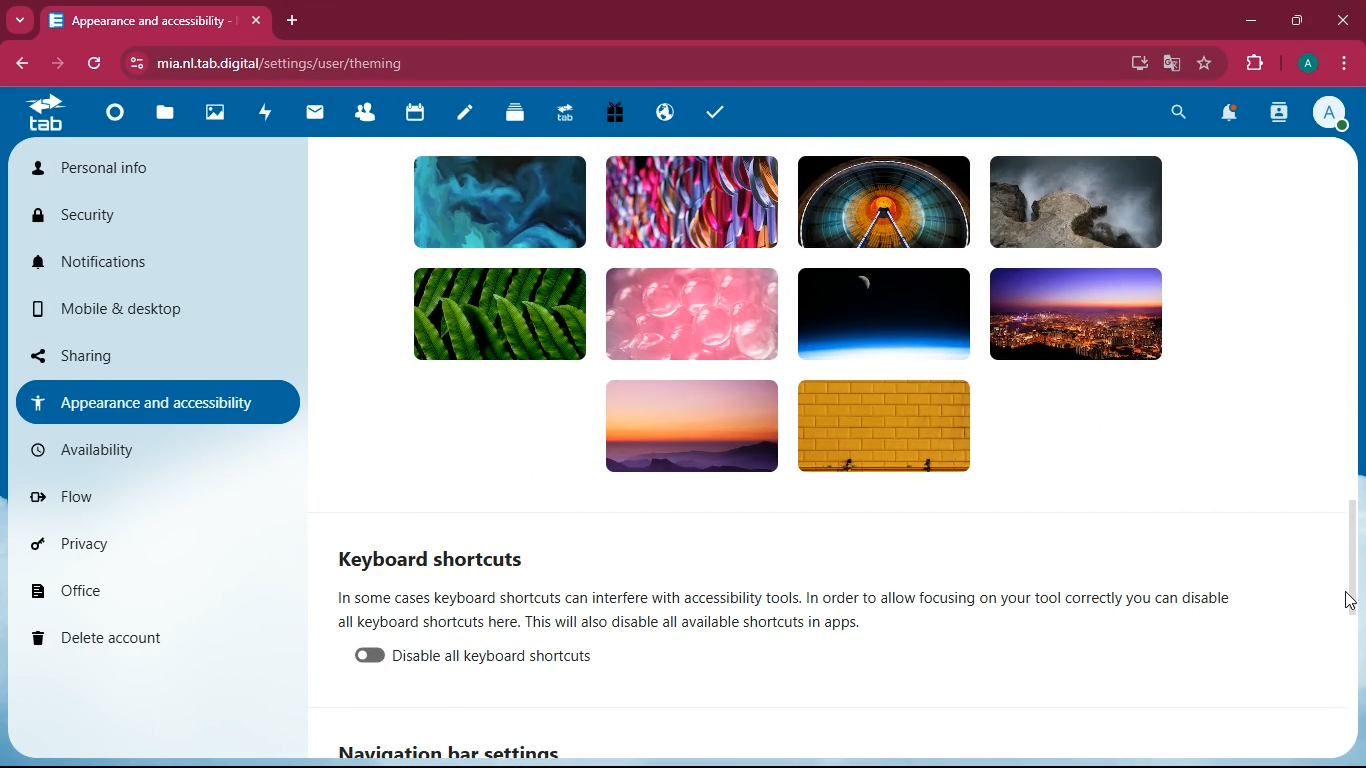 The height and width of the screenshot is (768, 1366). Describe the element at coordinates (1303, 63) in the screenshot. I see `profile` at that location.